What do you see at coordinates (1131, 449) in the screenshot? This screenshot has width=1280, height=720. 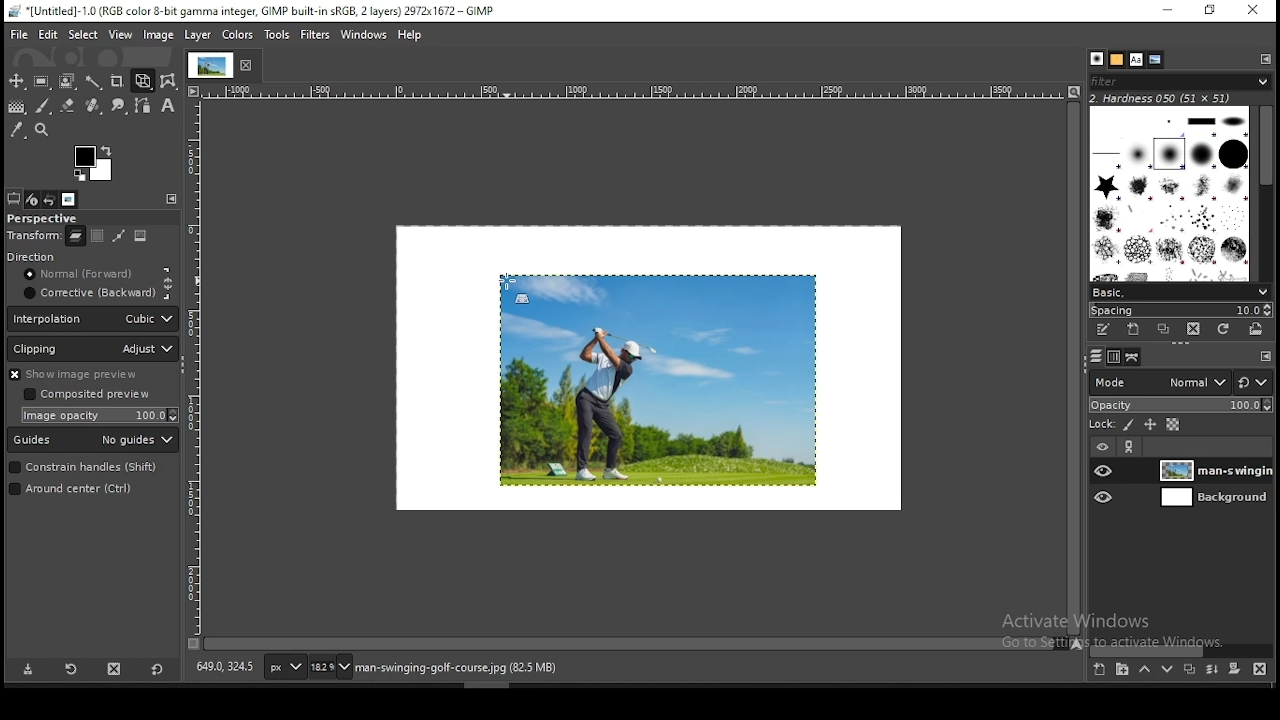 I see `link` at bounding box center [1131, 449].